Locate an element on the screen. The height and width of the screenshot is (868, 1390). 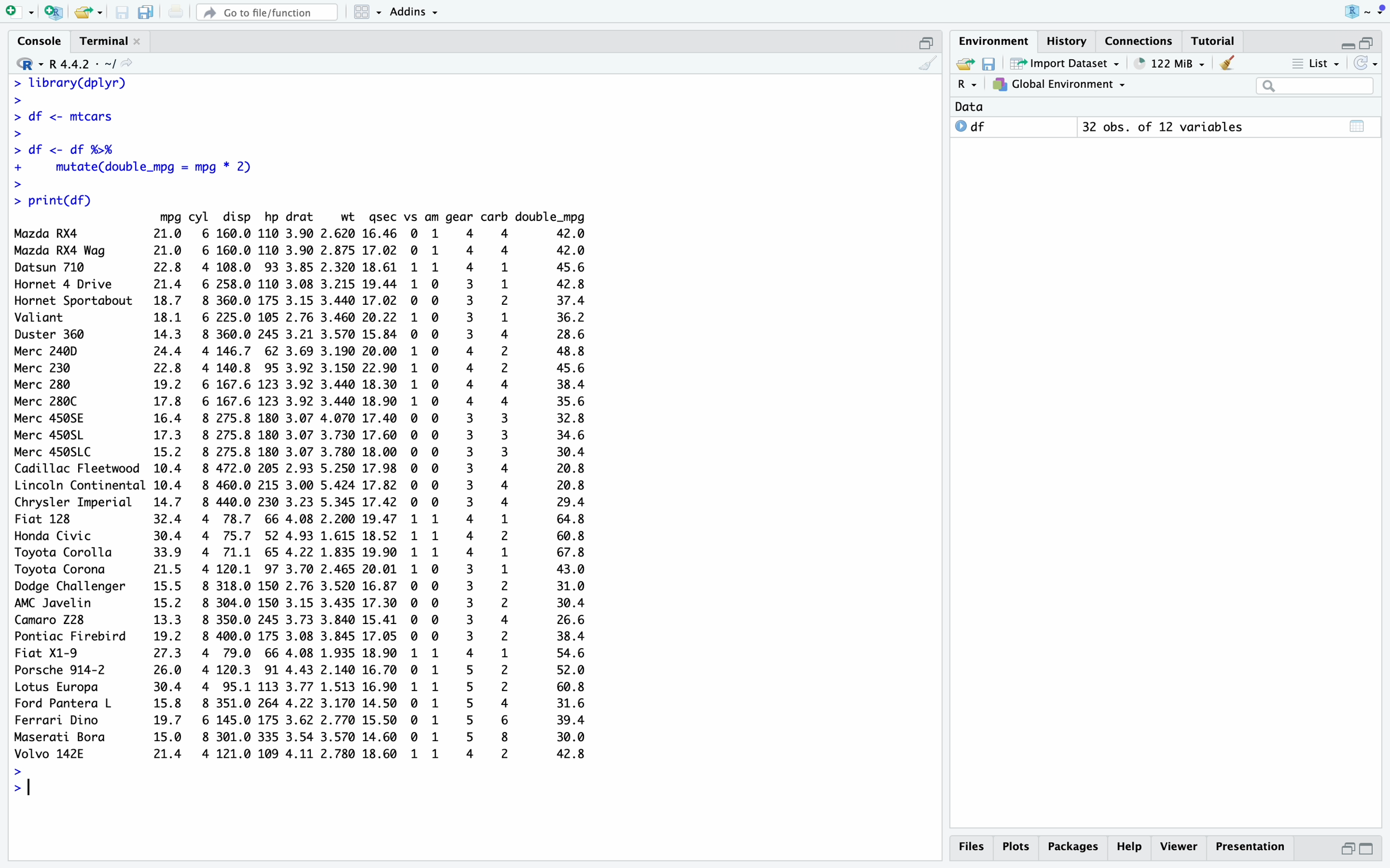
switch to full view is located at coordinates (1368, 850).